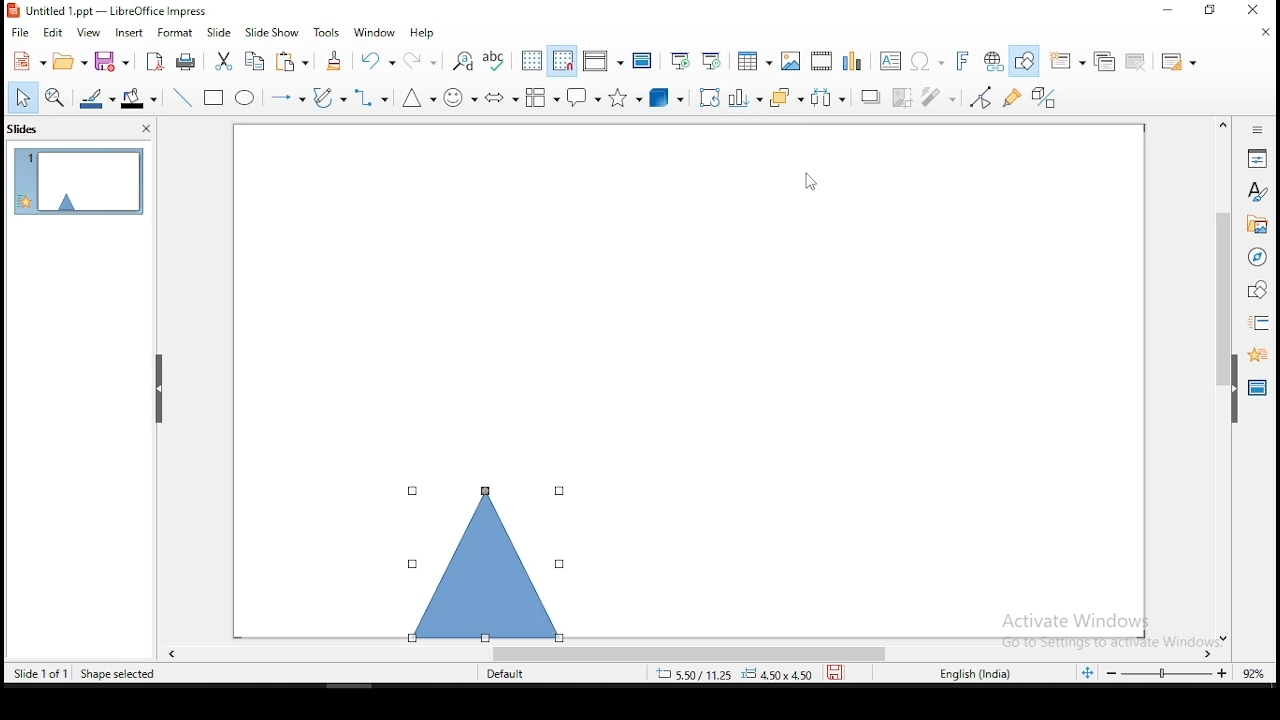 The width and height of the screenshot is (1280, 720). I want to click on slide, so click(220, 30).